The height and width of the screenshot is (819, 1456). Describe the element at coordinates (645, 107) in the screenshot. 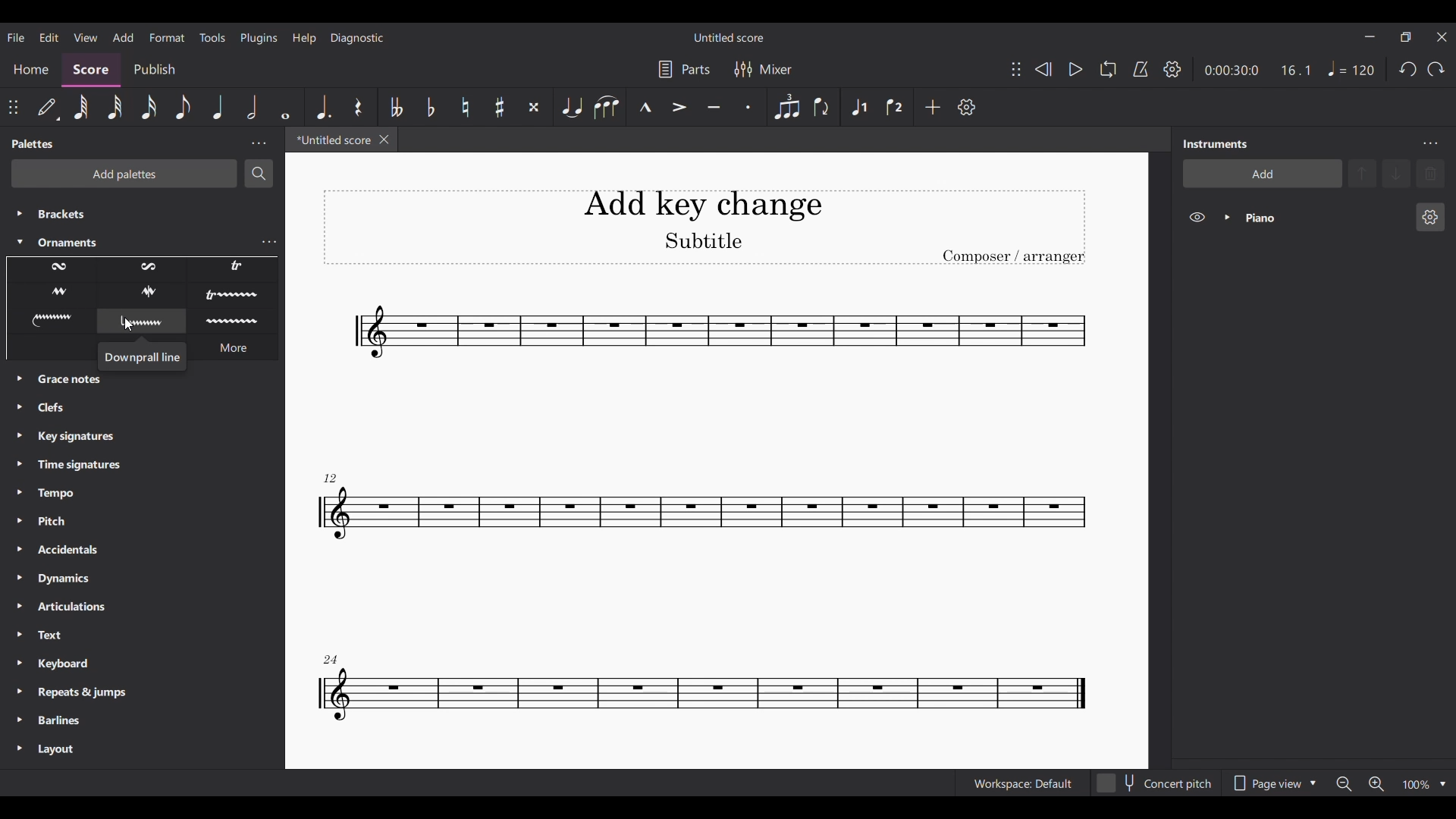

I see `Marcato` at that location.